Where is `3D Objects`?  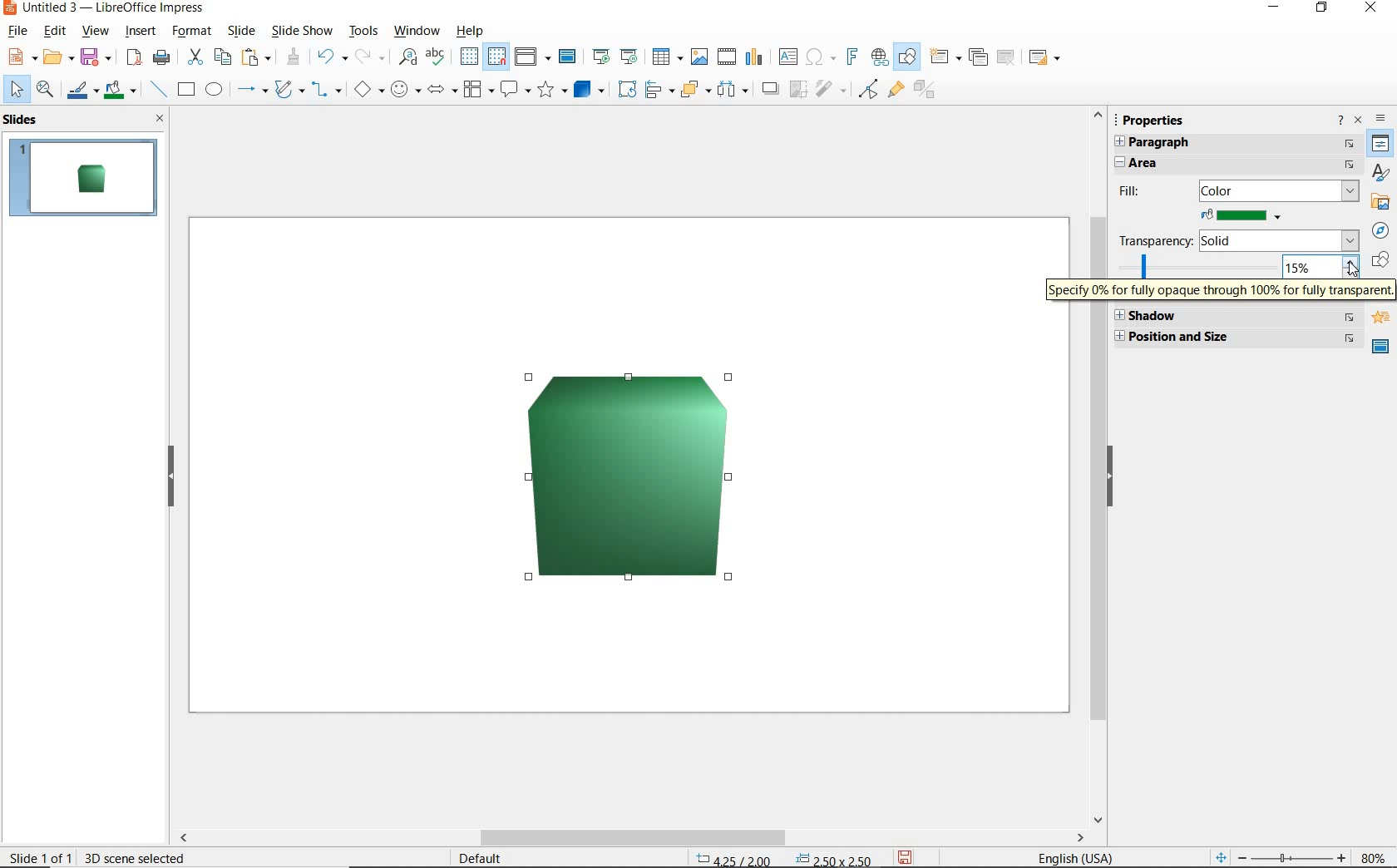 3D Objects is located at coordinates (590, 91).